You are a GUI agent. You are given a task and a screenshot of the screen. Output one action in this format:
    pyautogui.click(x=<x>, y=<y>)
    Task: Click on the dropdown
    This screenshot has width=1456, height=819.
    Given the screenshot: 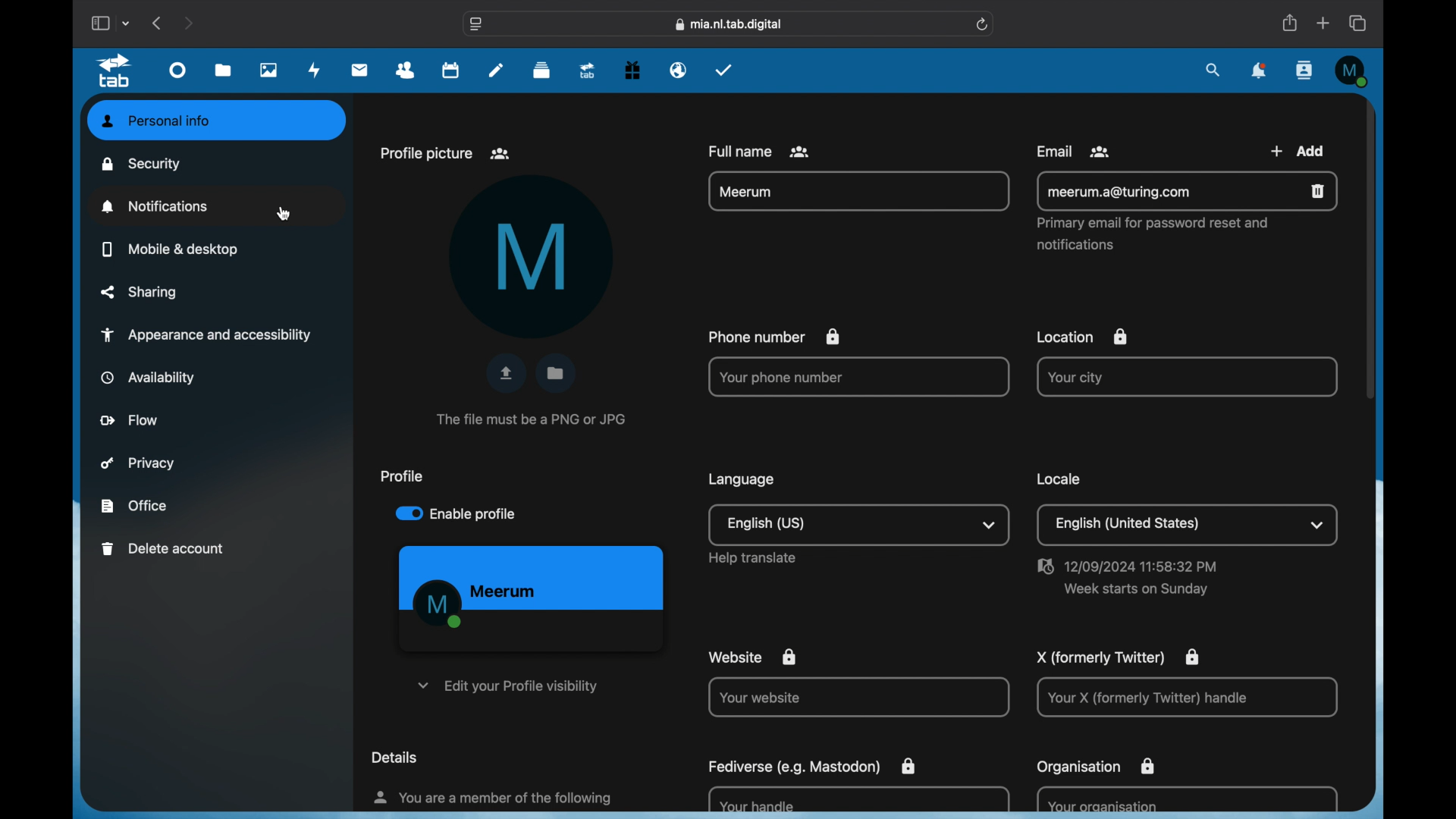 What is the action you would take?
    pyautogui.click(x=1318, y=525)
    